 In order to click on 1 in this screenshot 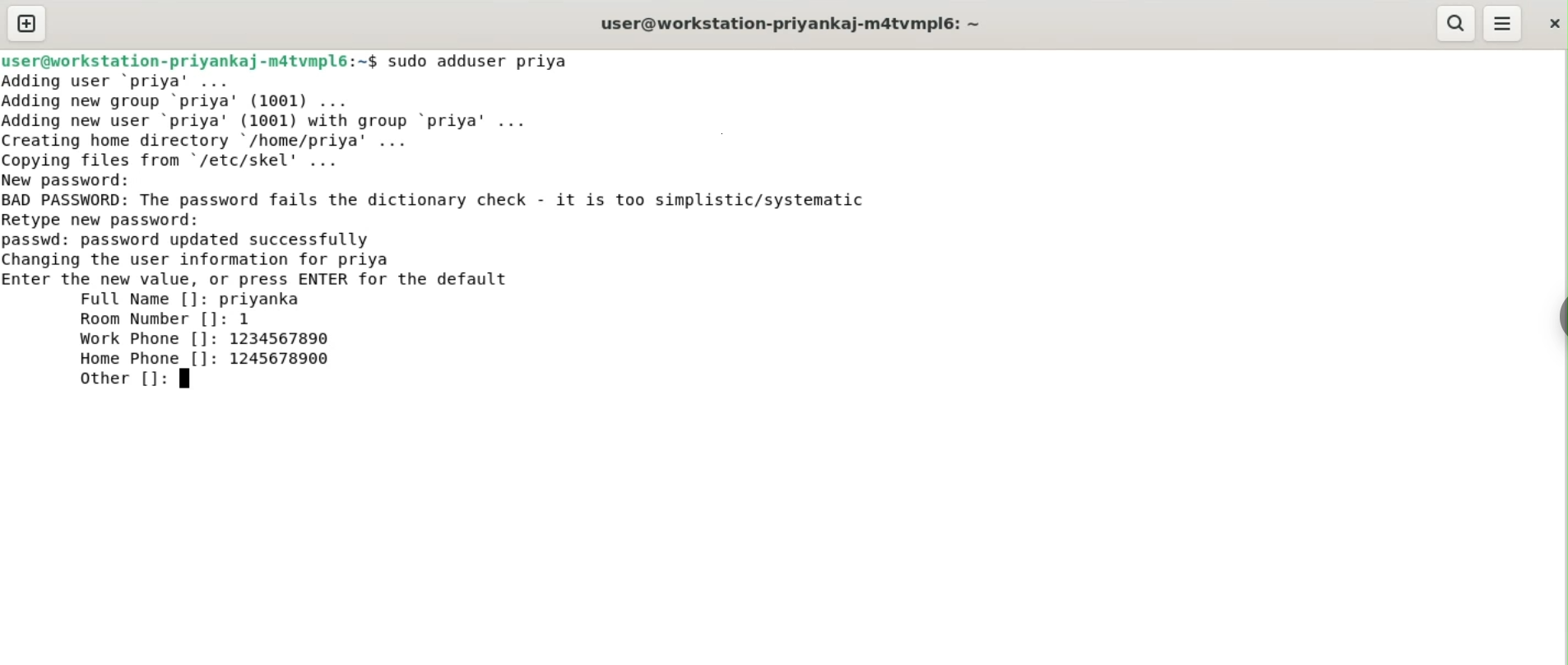, I will do `click(251, 319)`.